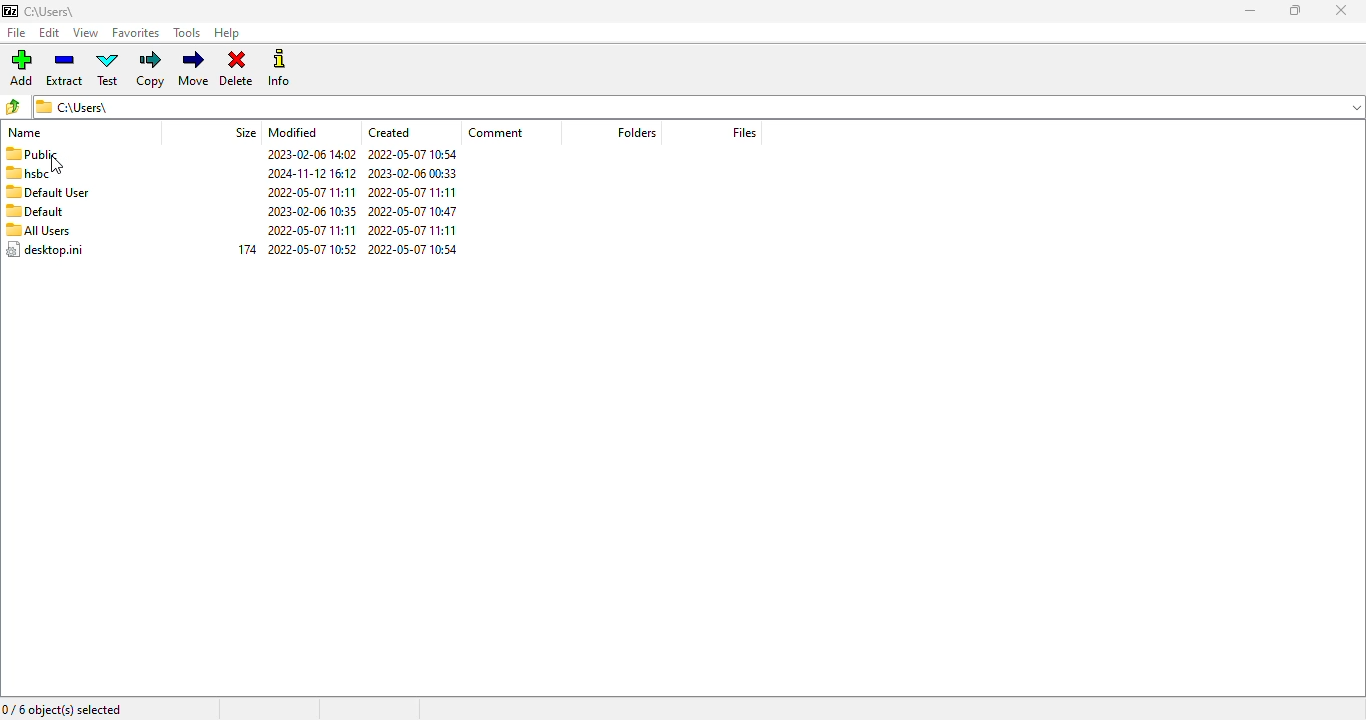 The width and height of the screenshot is (1366, 720). I want to click on hsbc, so click(30, 174).